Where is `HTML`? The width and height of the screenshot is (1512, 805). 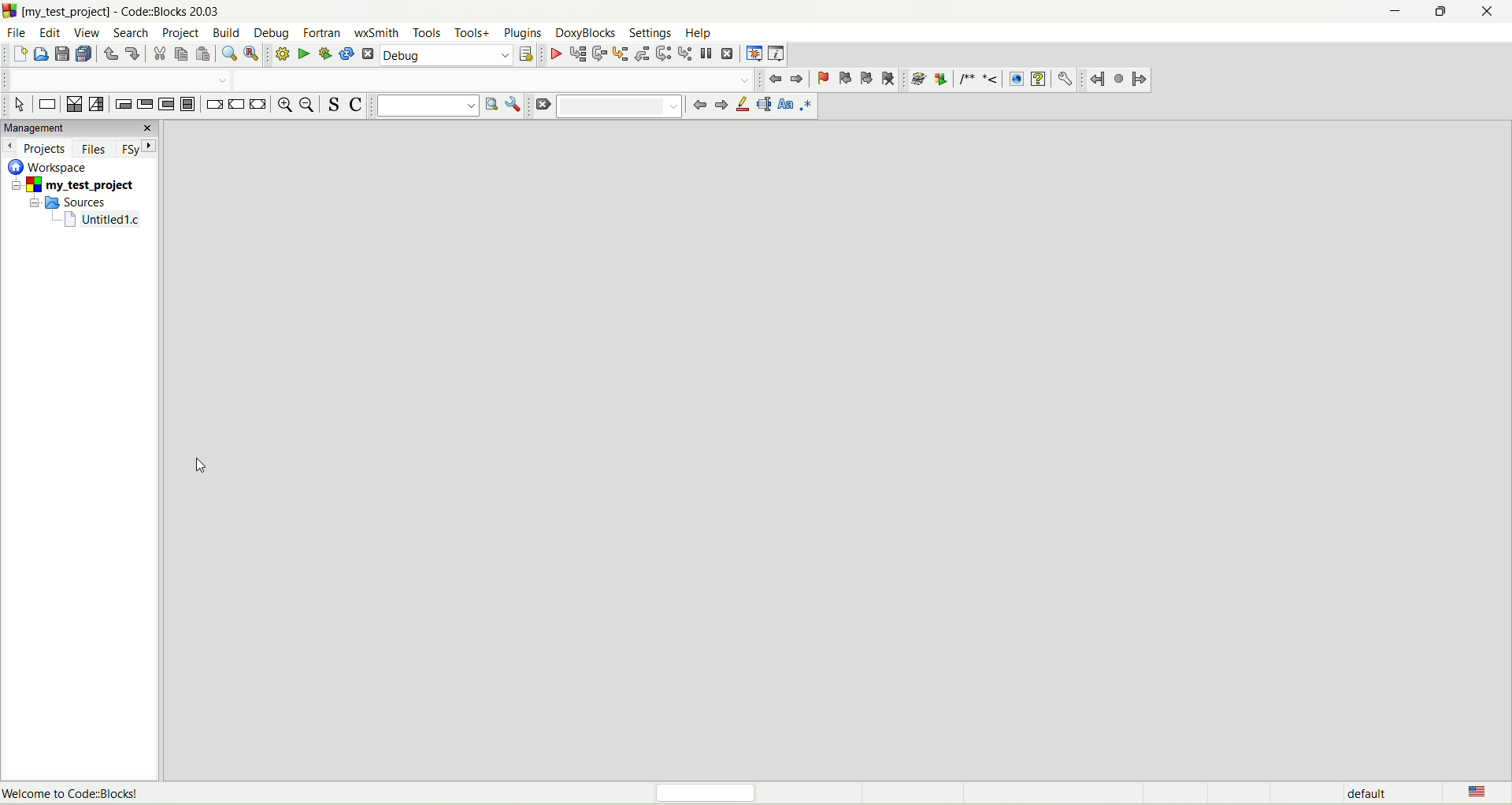 HTML is located at coordinates (1014, 78).